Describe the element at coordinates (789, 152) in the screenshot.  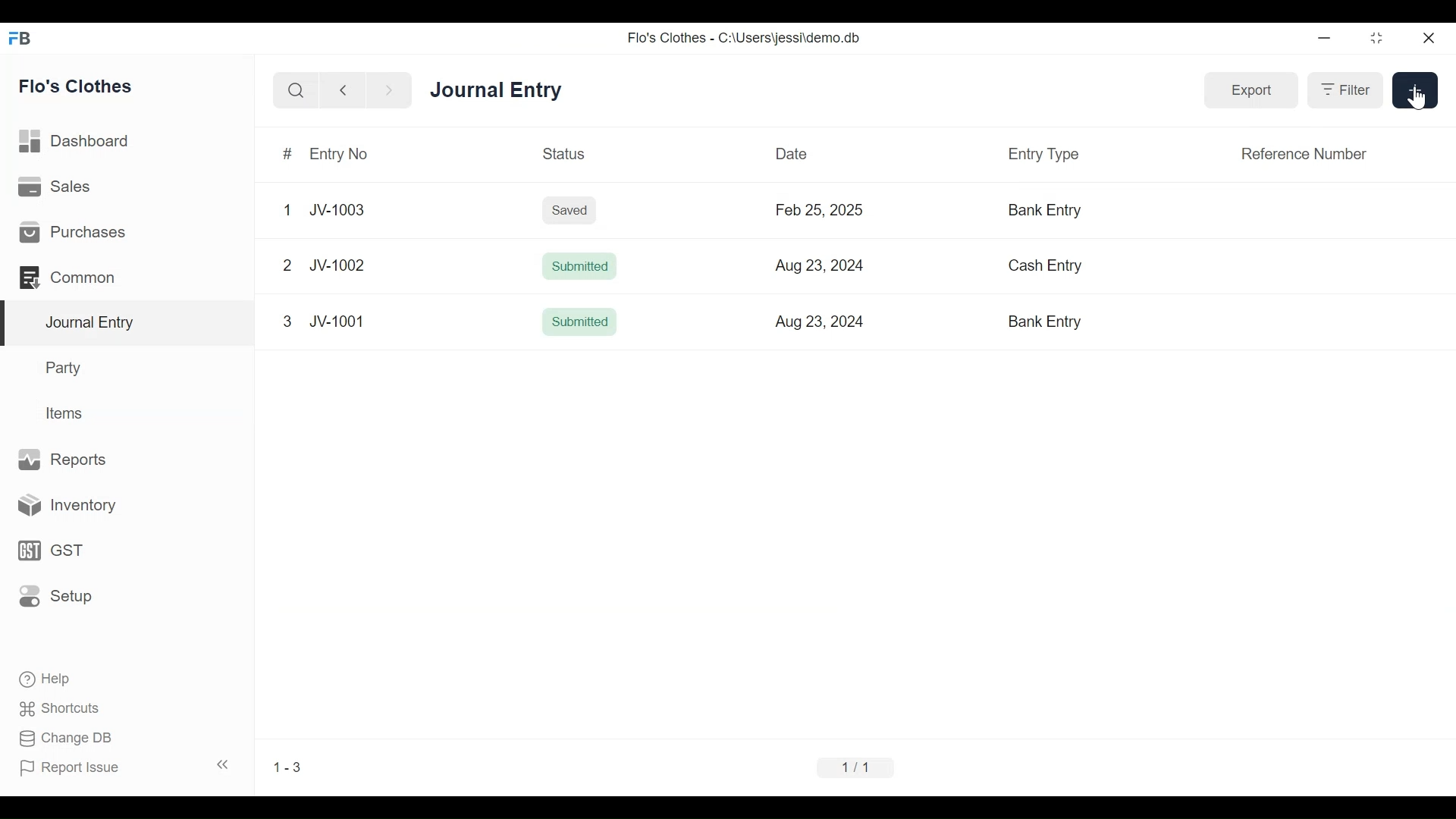
I see `Date` at that location.